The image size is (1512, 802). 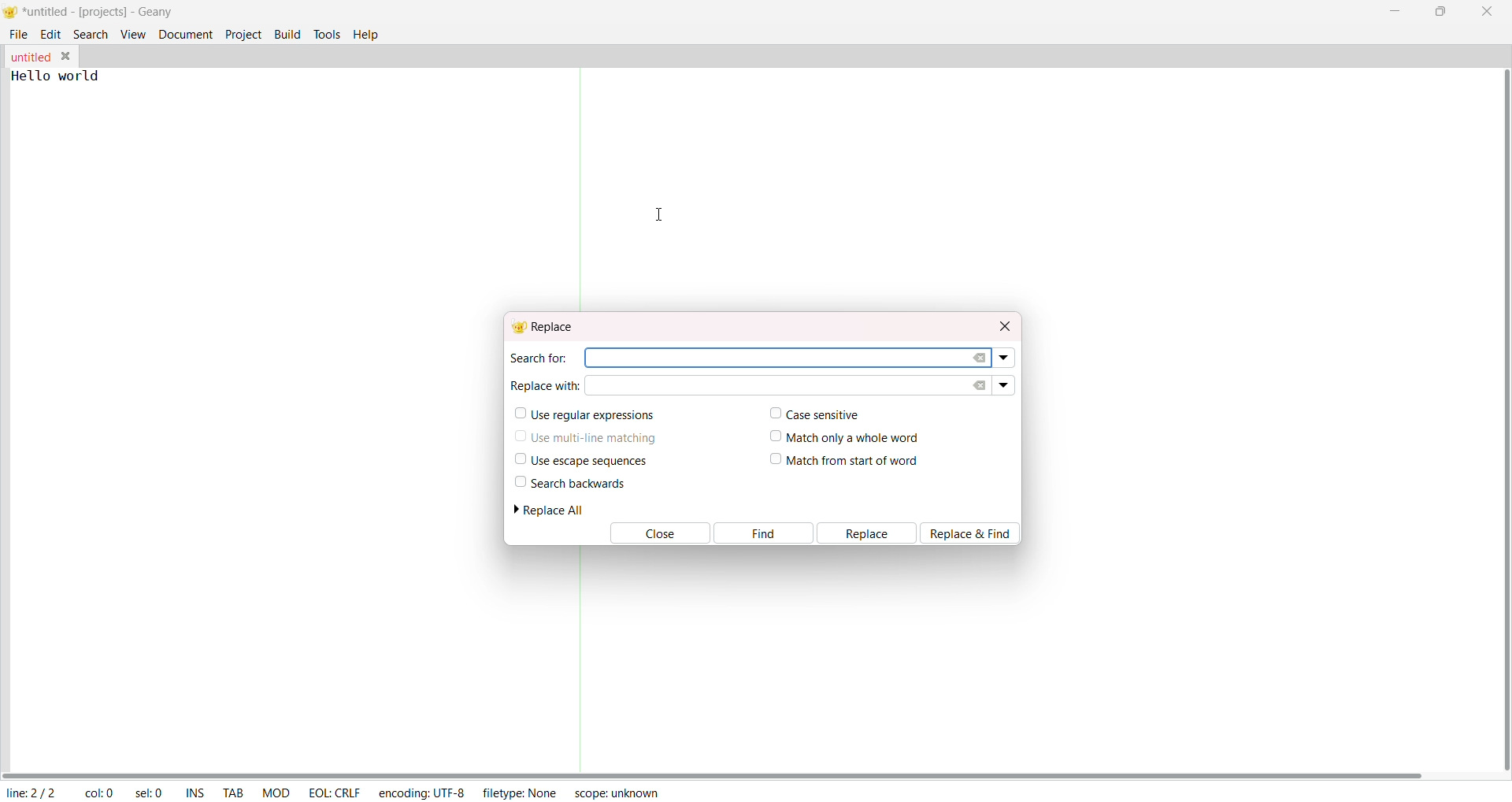 I want to click on replace and find, so click(x=973, y=534).